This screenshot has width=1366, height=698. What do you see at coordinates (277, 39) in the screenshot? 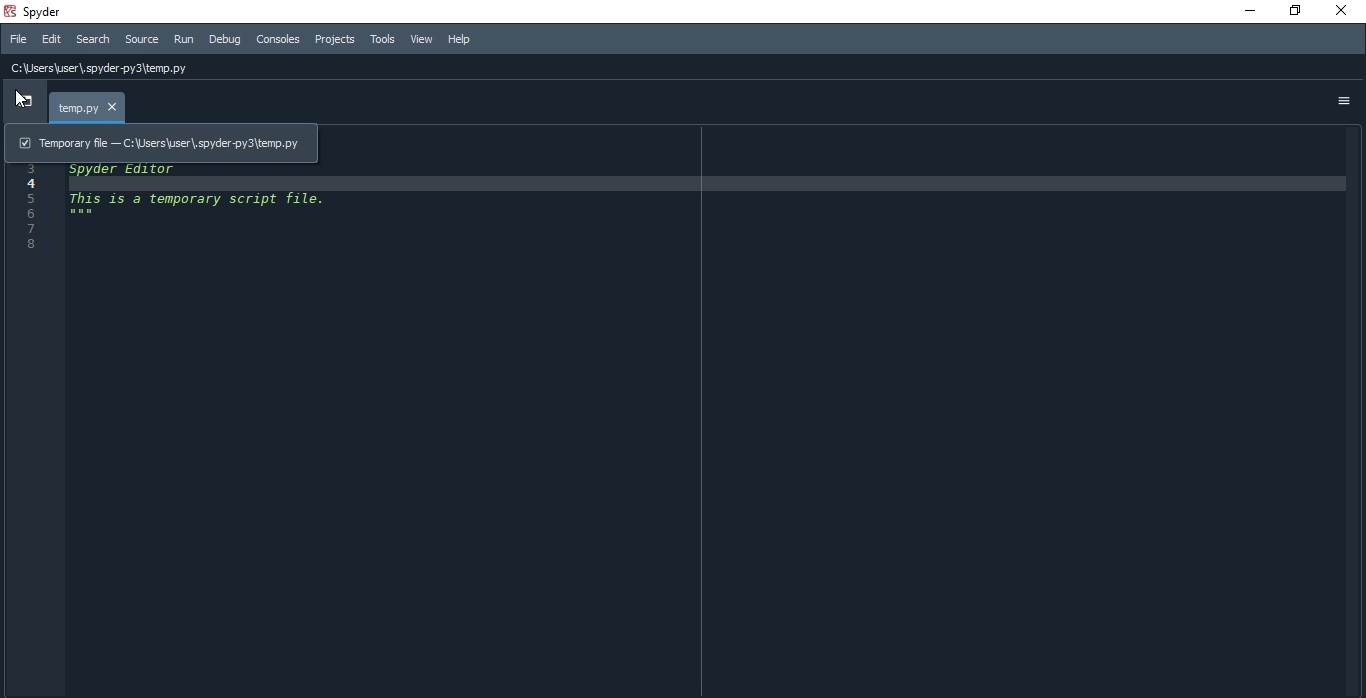
I see `Consoles` at bounding box center [277, 39].